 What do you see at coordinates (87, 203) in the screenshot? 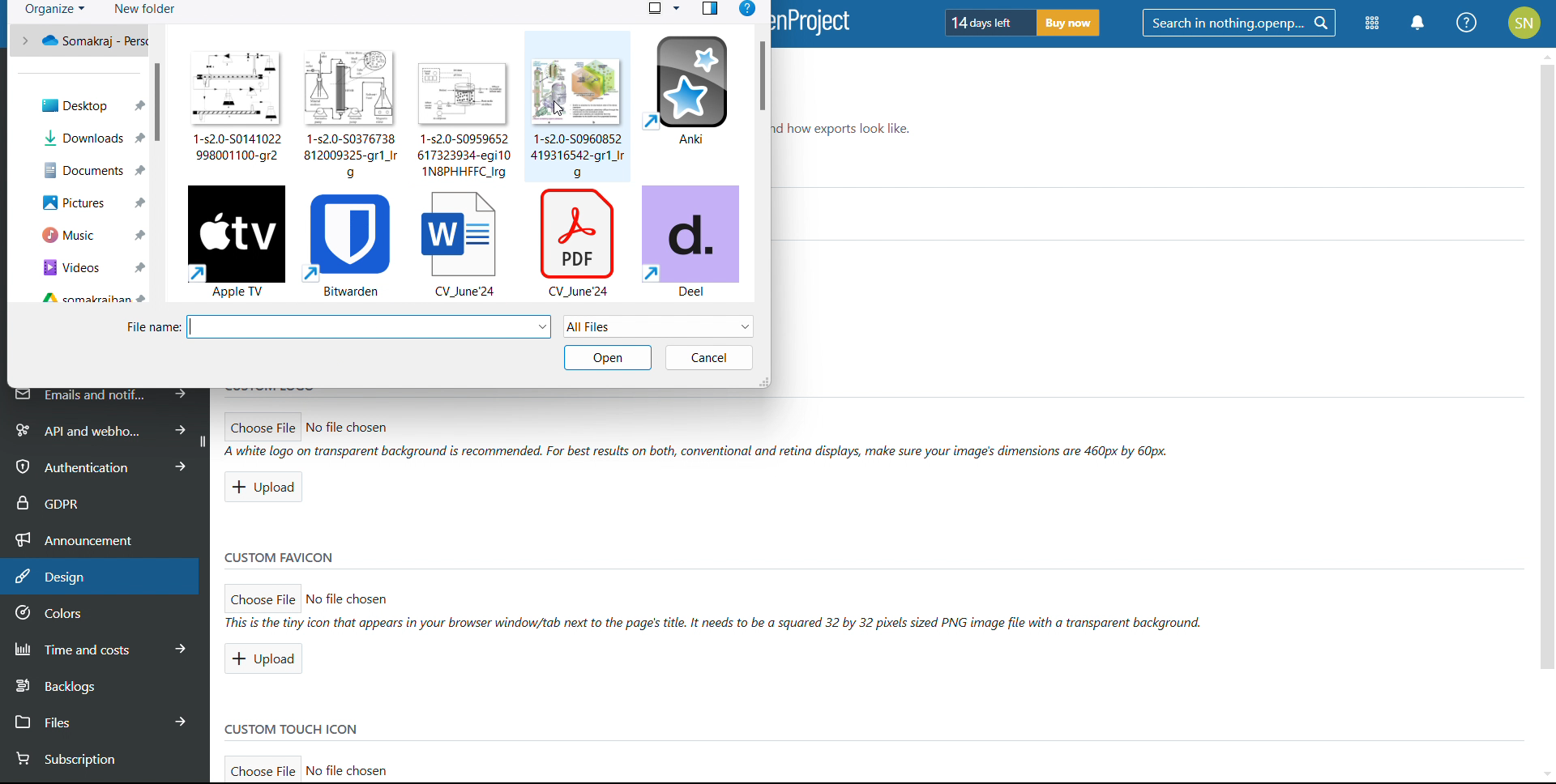
I see `pictures` at bounding box center [87, 203].